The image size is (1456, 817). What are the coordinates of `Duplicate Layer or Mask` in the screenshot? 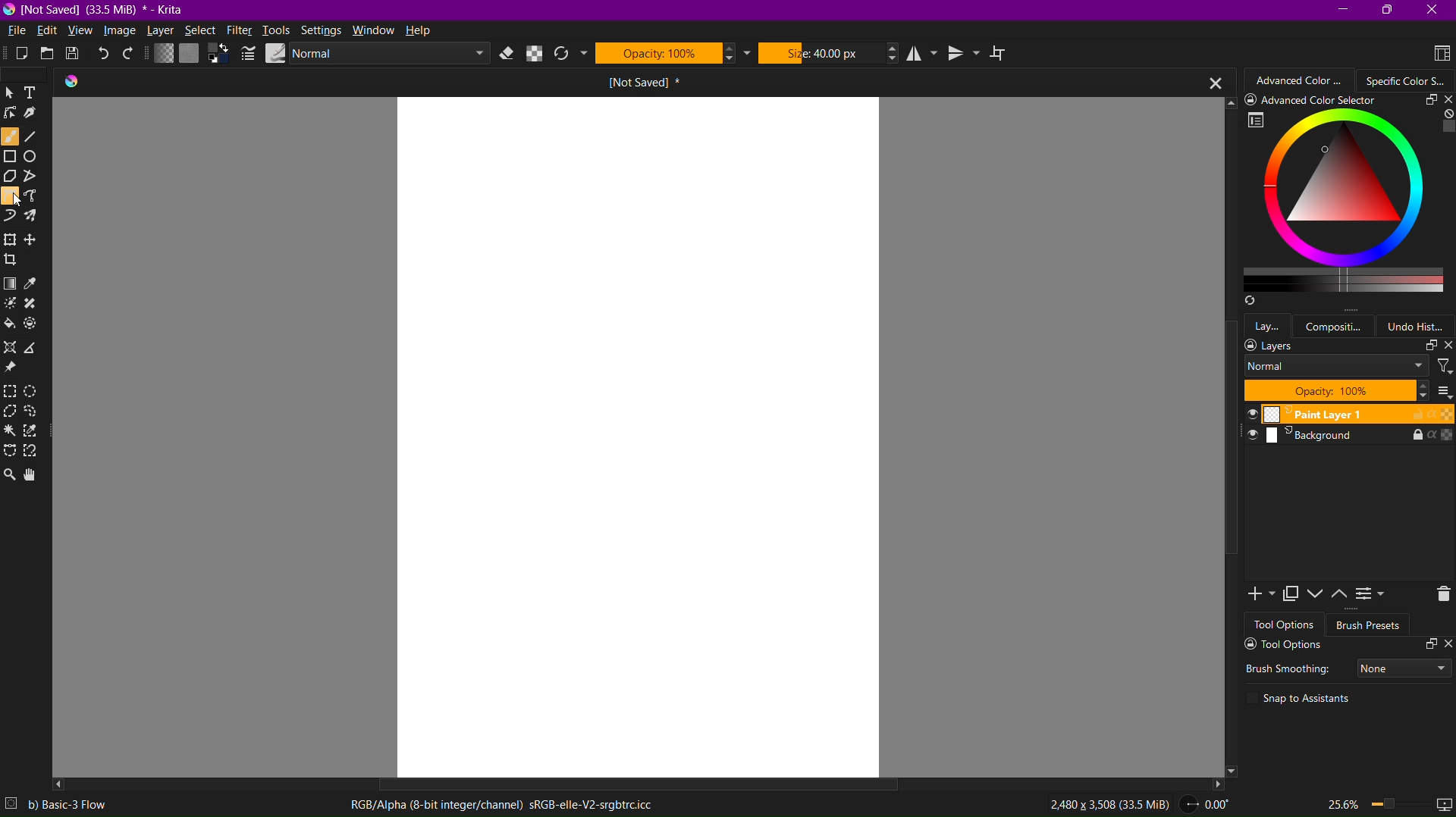 It's located at (1293, 595).